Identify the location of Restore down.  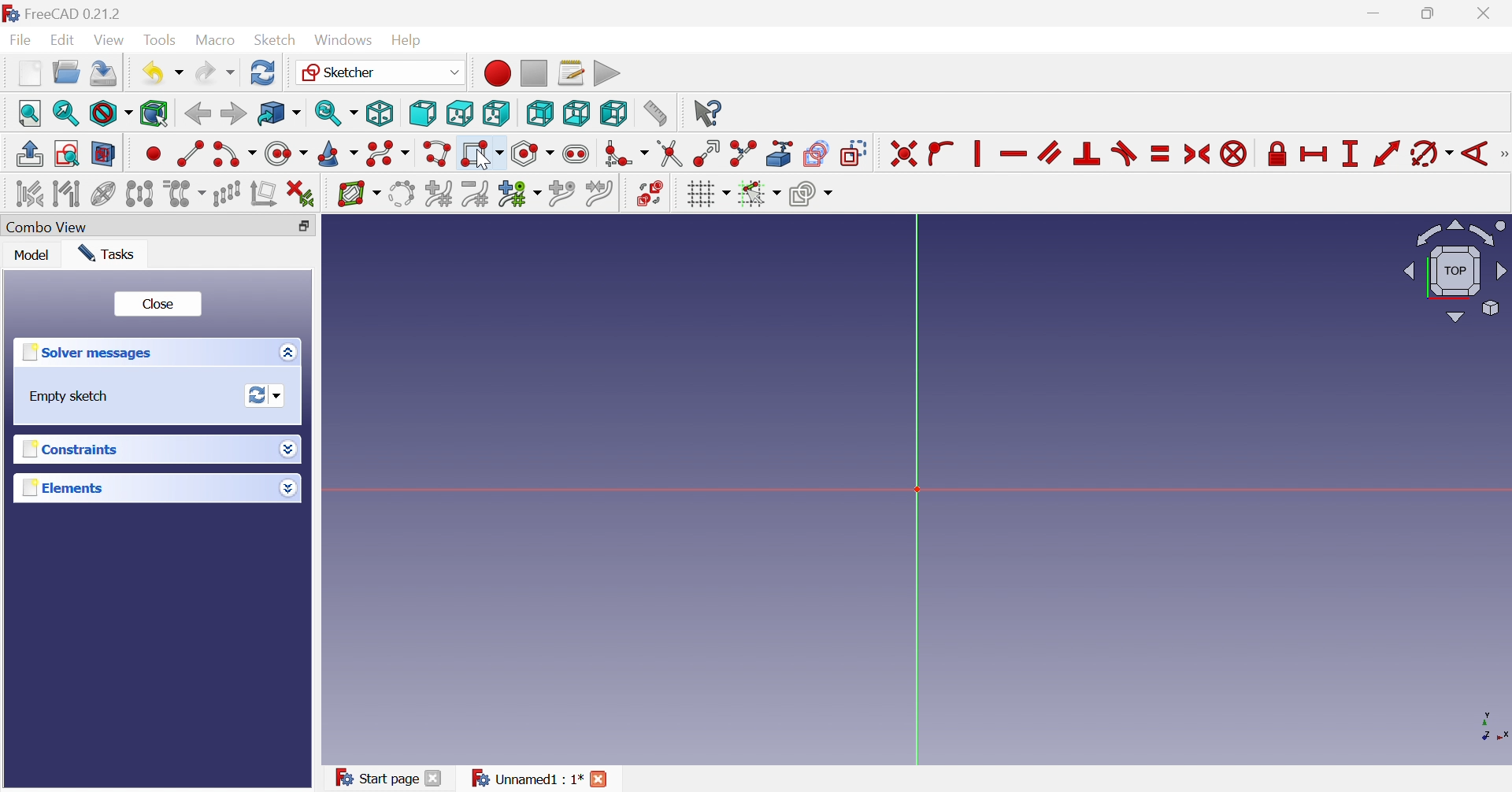
(304, 228).